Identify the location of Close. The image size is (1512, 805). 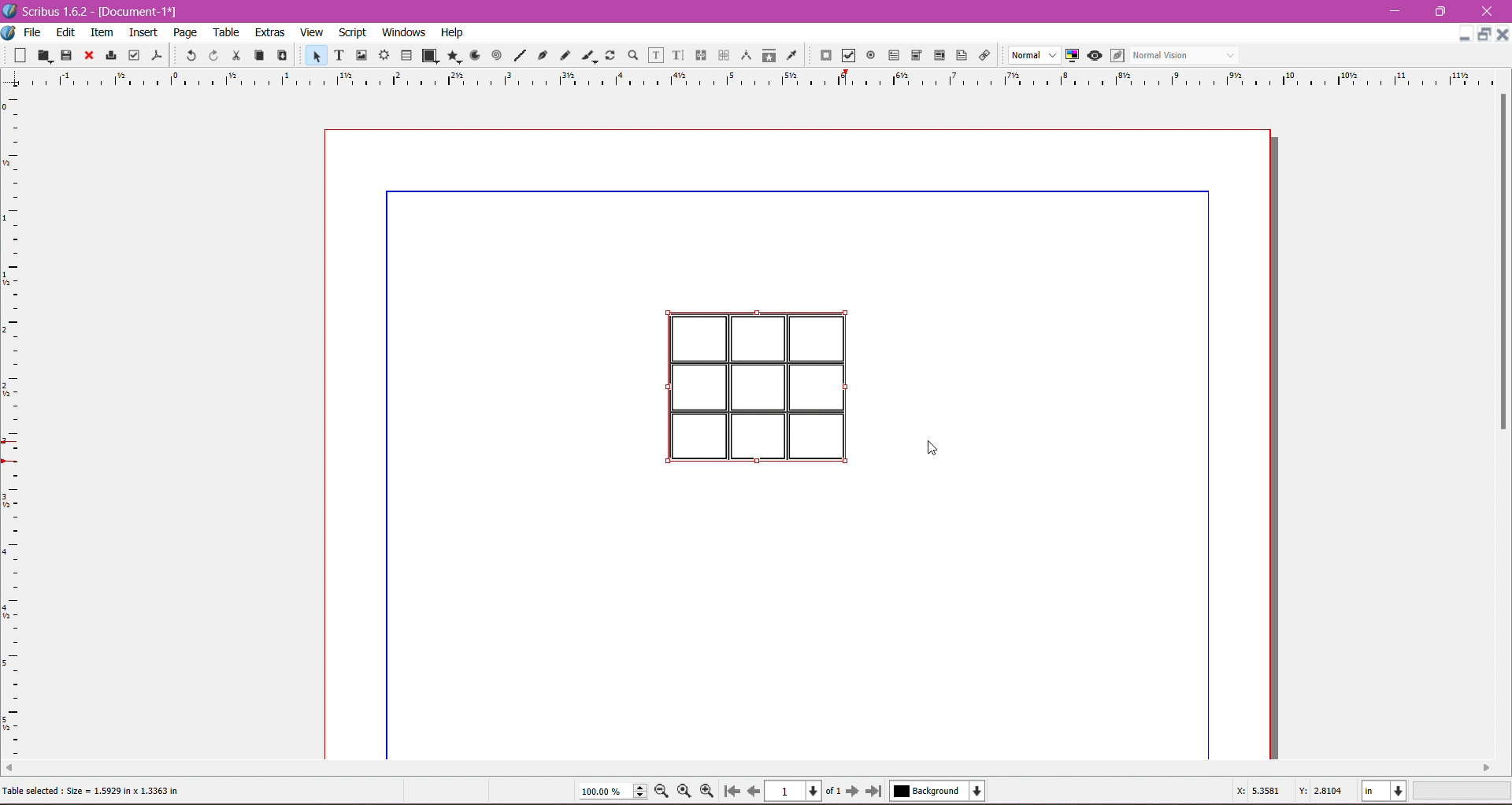
(87, 56).